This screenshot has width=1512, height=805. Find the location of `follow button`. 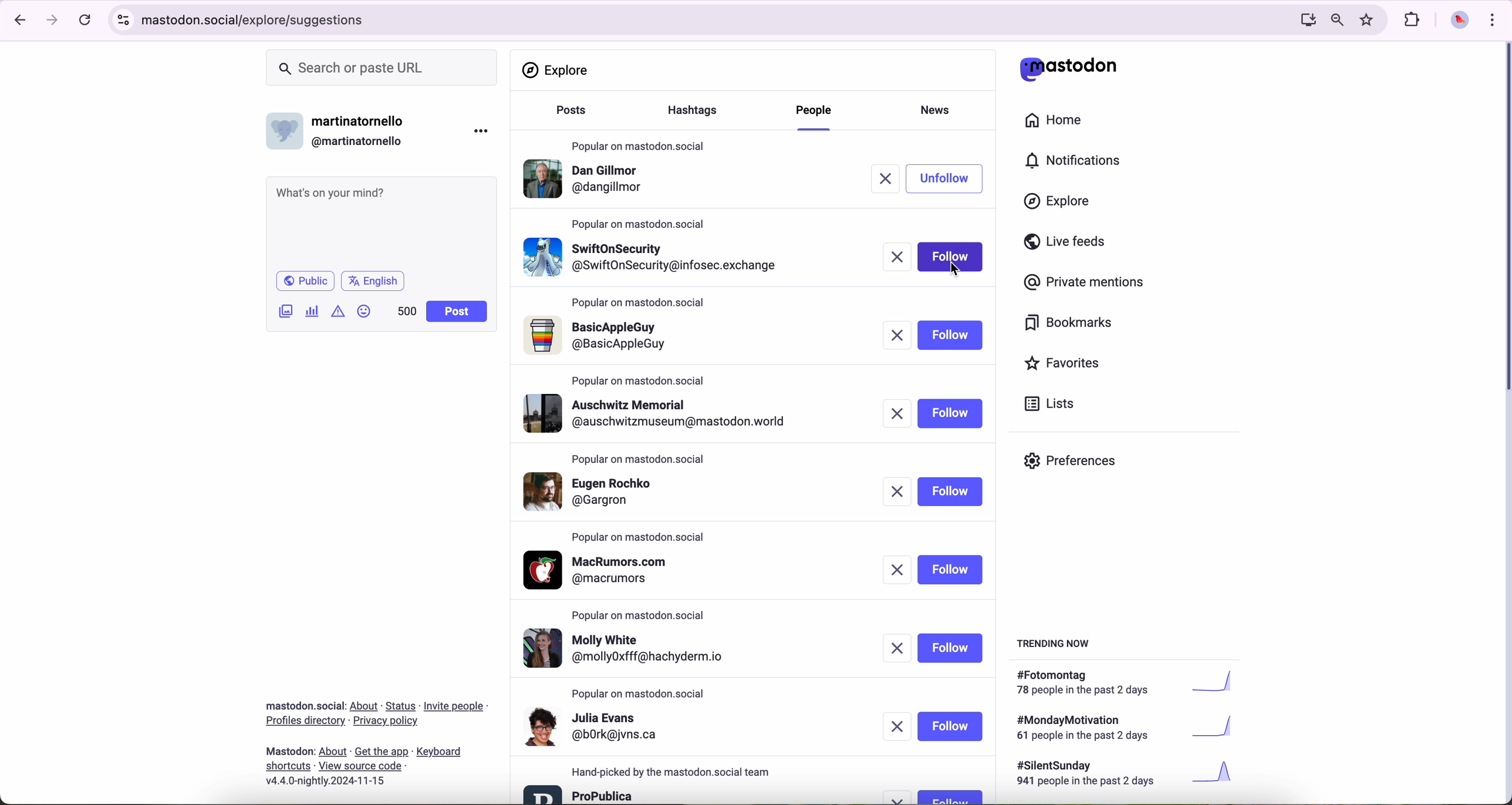

follow button is located at coordinates (950, 796).